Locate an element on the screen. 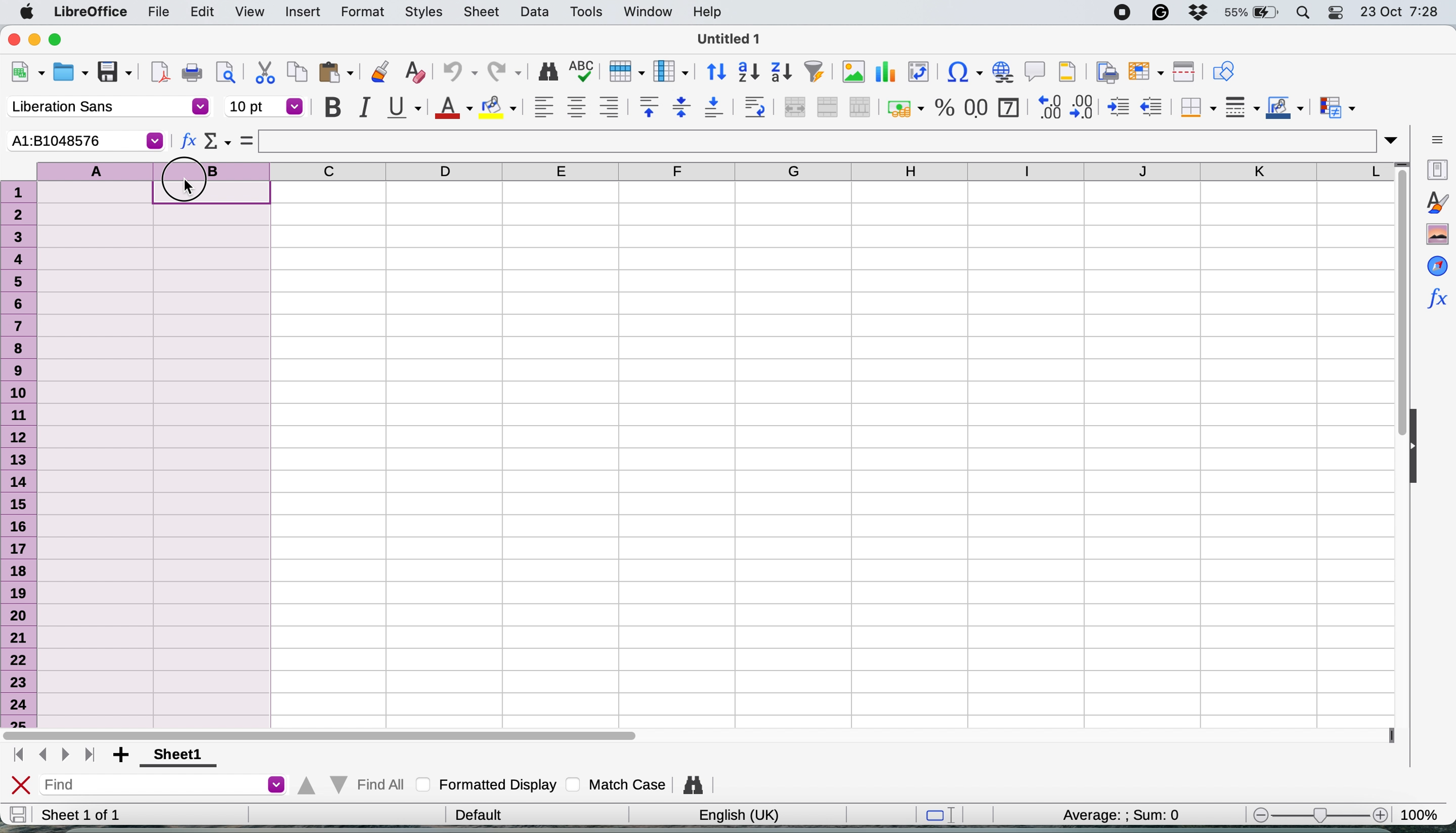  sidebar settings is located at coordinates (1437, 138).